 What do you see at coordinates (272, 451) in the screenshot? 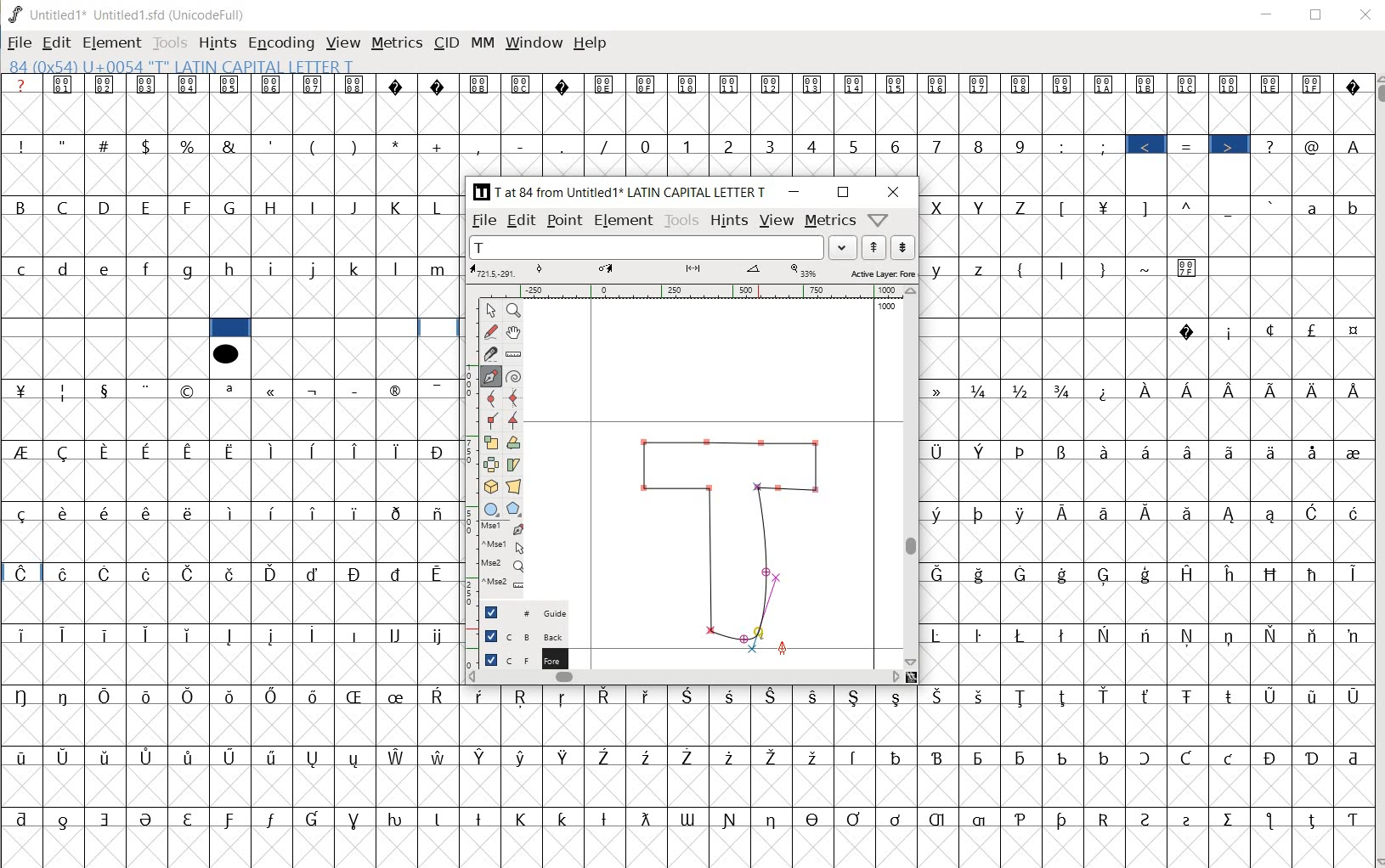
I see `Symbol` at bounding box center [272, 451].